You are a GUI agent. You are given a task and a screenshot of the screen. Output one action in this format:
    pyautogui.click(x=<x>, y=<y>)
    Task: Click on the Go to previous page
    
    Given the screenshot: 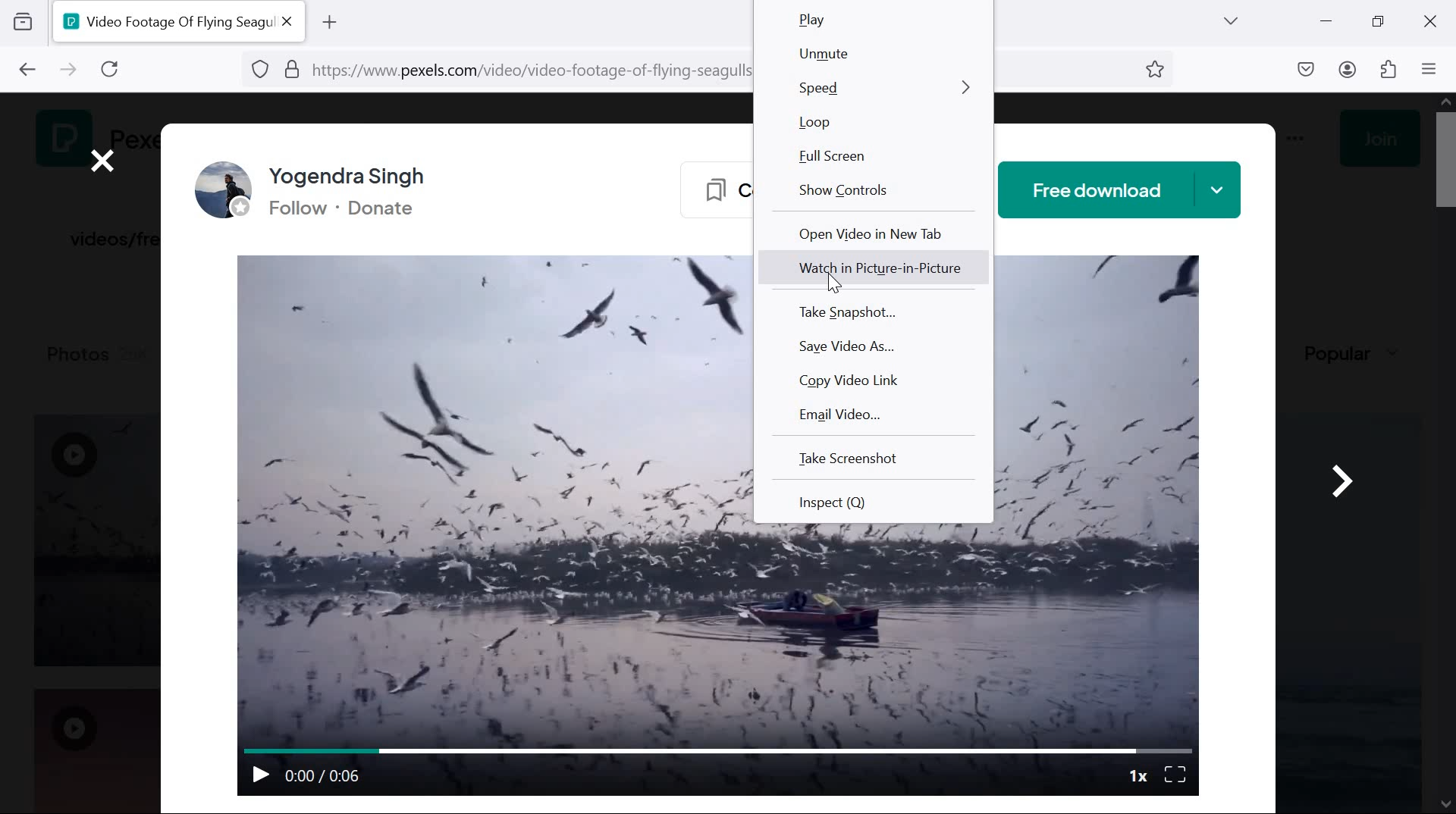 What is the action you would take?
    pyautogui.click(x=24, y=67)
    